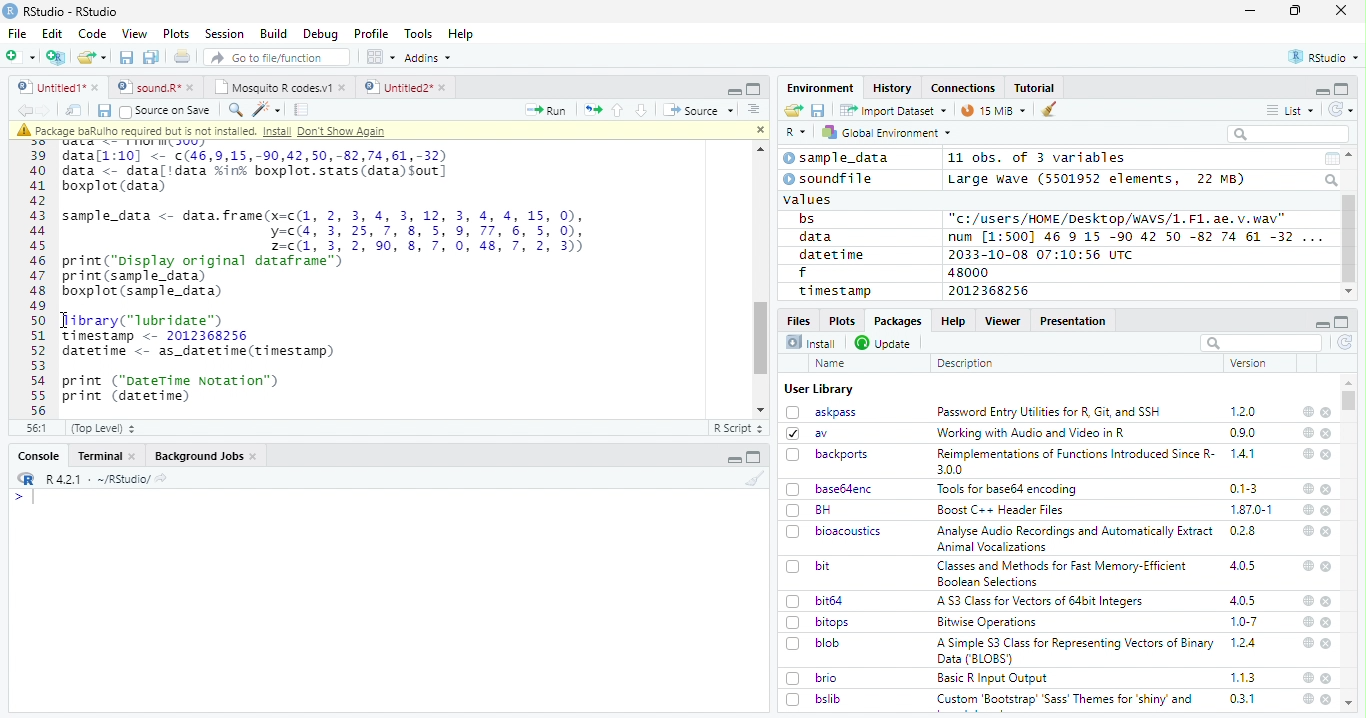 The image size is (1366, 718). What do you see at coordinates (321, 34) in the screenshot?
I see `Debug` at bounding box center [321, 34].